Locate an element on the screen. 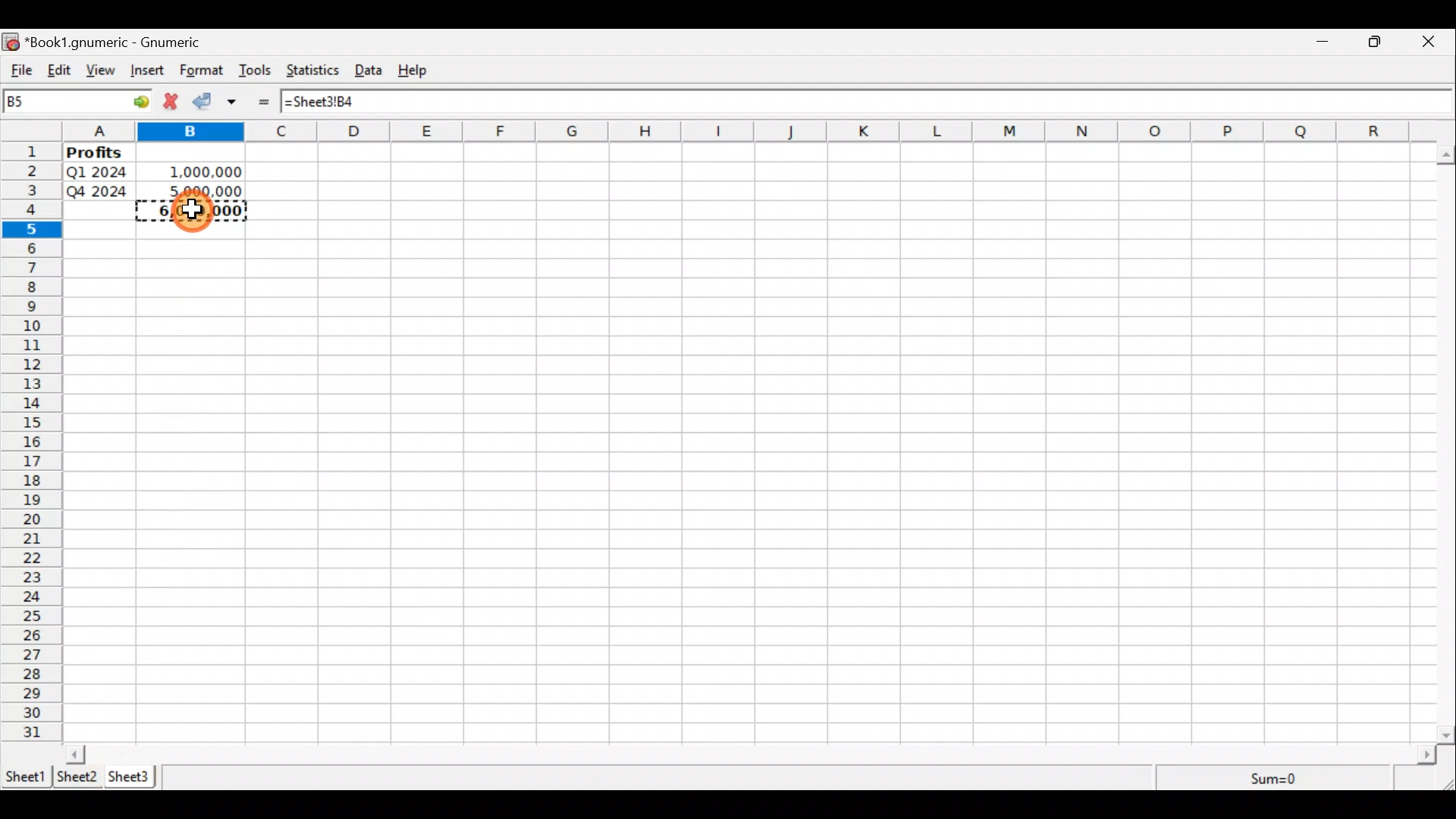 The width and height of the screenshot is (1456, 819). Scroll bar is located at coordinates (752, 754).